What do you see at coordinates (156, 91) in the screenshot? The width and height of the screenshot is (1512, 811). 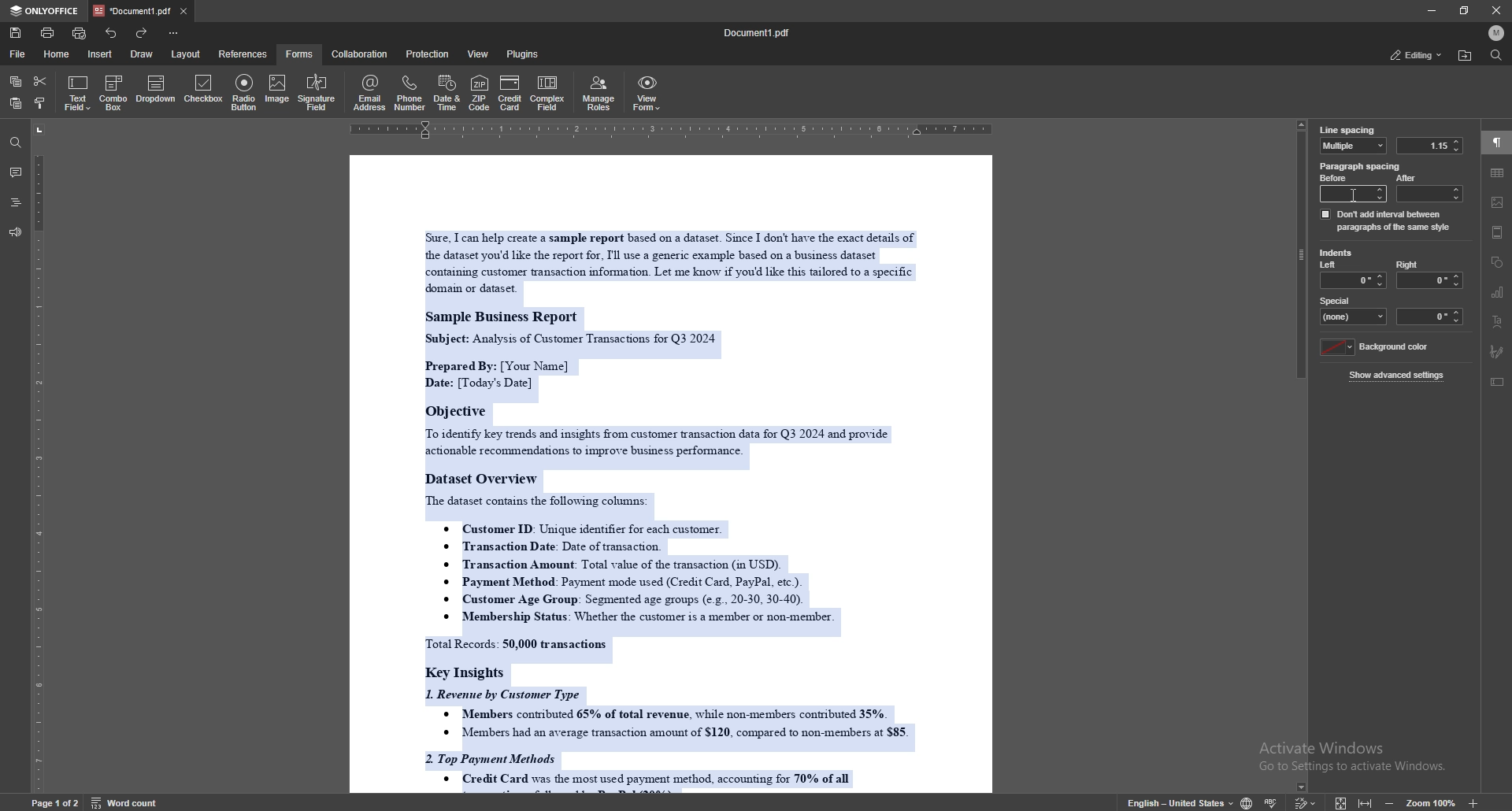 I see `dropdown` at bounding box center [156, 91].